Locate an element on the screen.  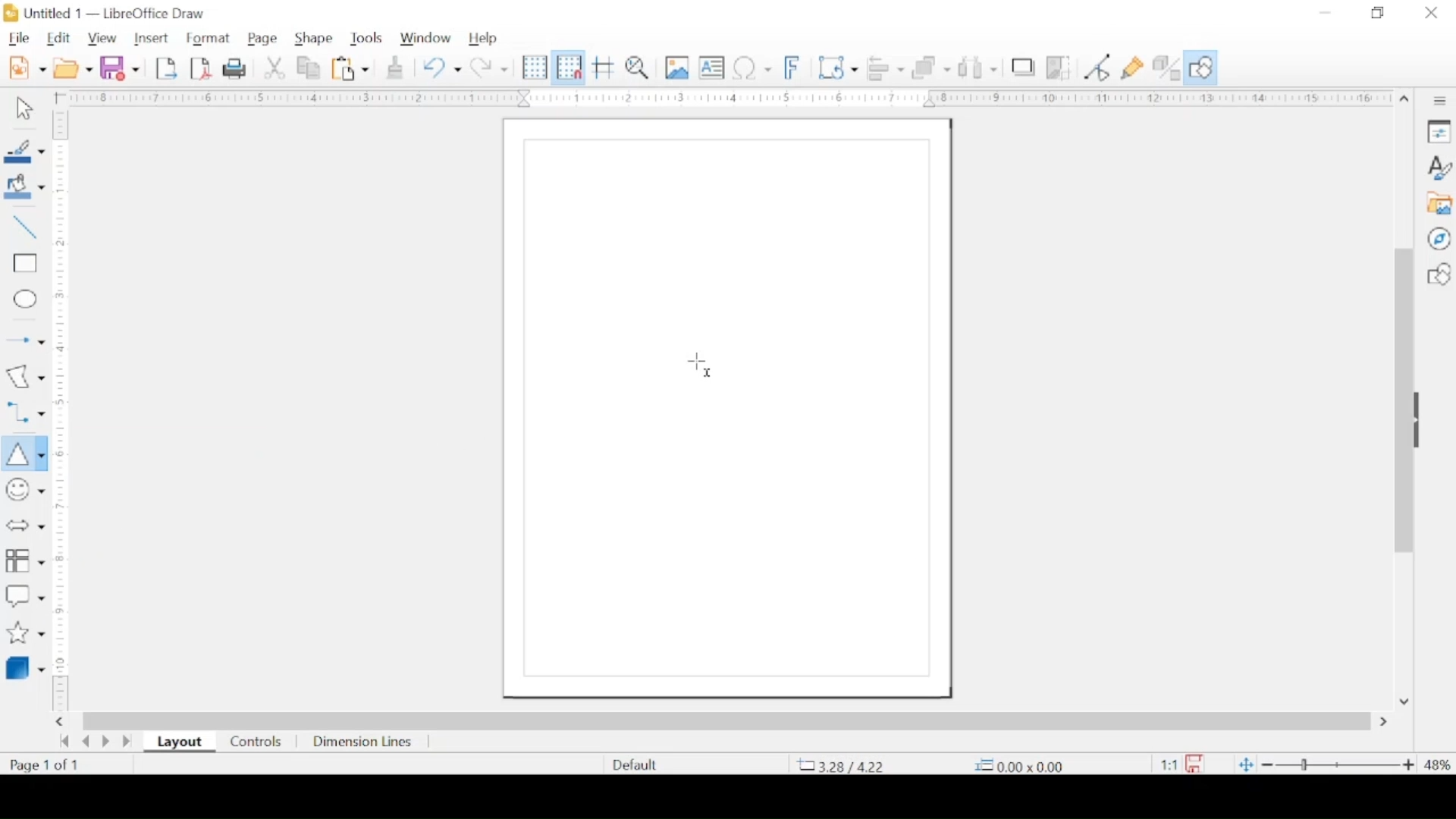
next page is located at coordinates (105, 743).